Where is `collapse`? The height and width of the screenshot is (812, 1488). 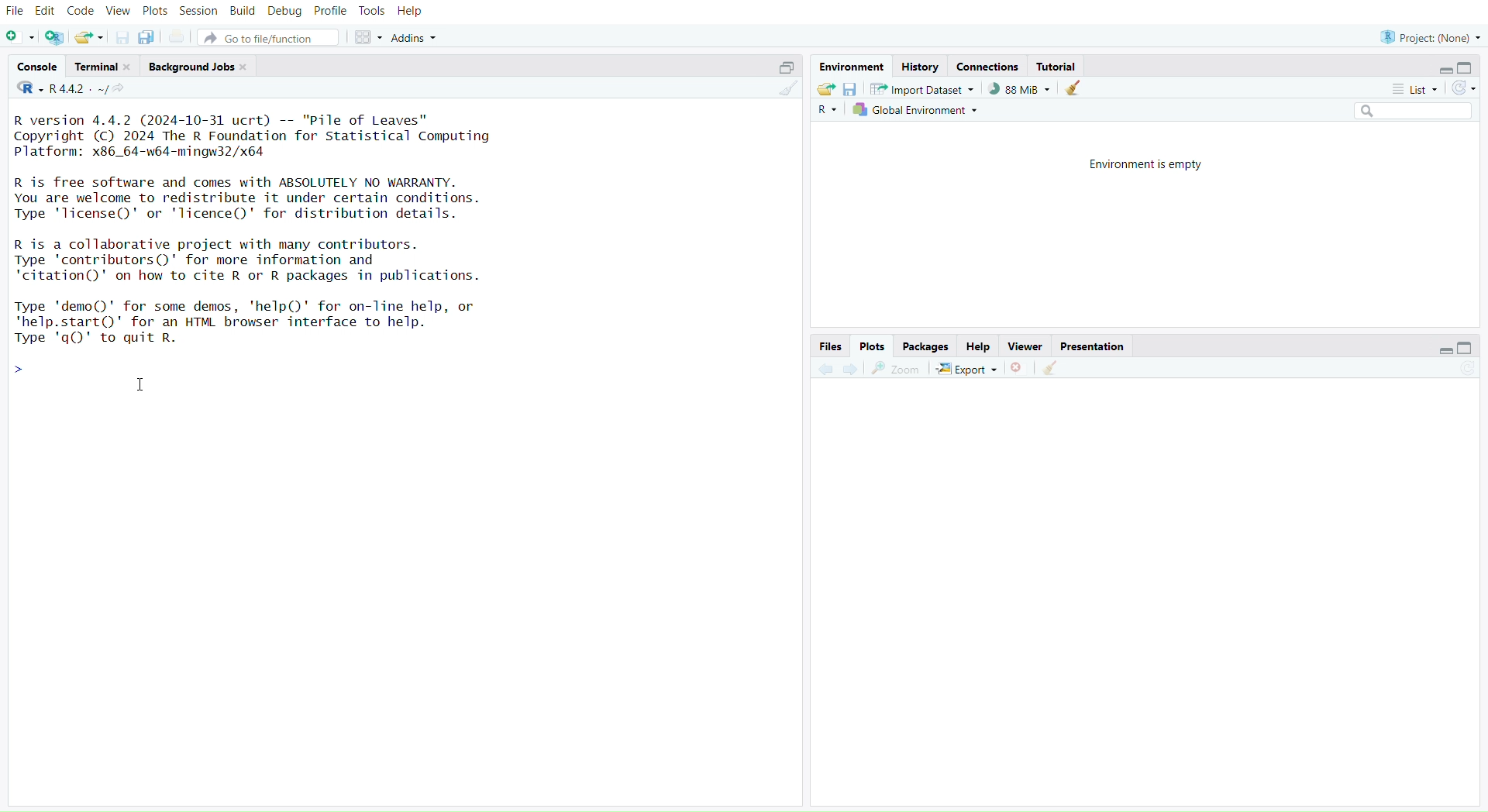 collapse is located at coordinates (1470, 349).